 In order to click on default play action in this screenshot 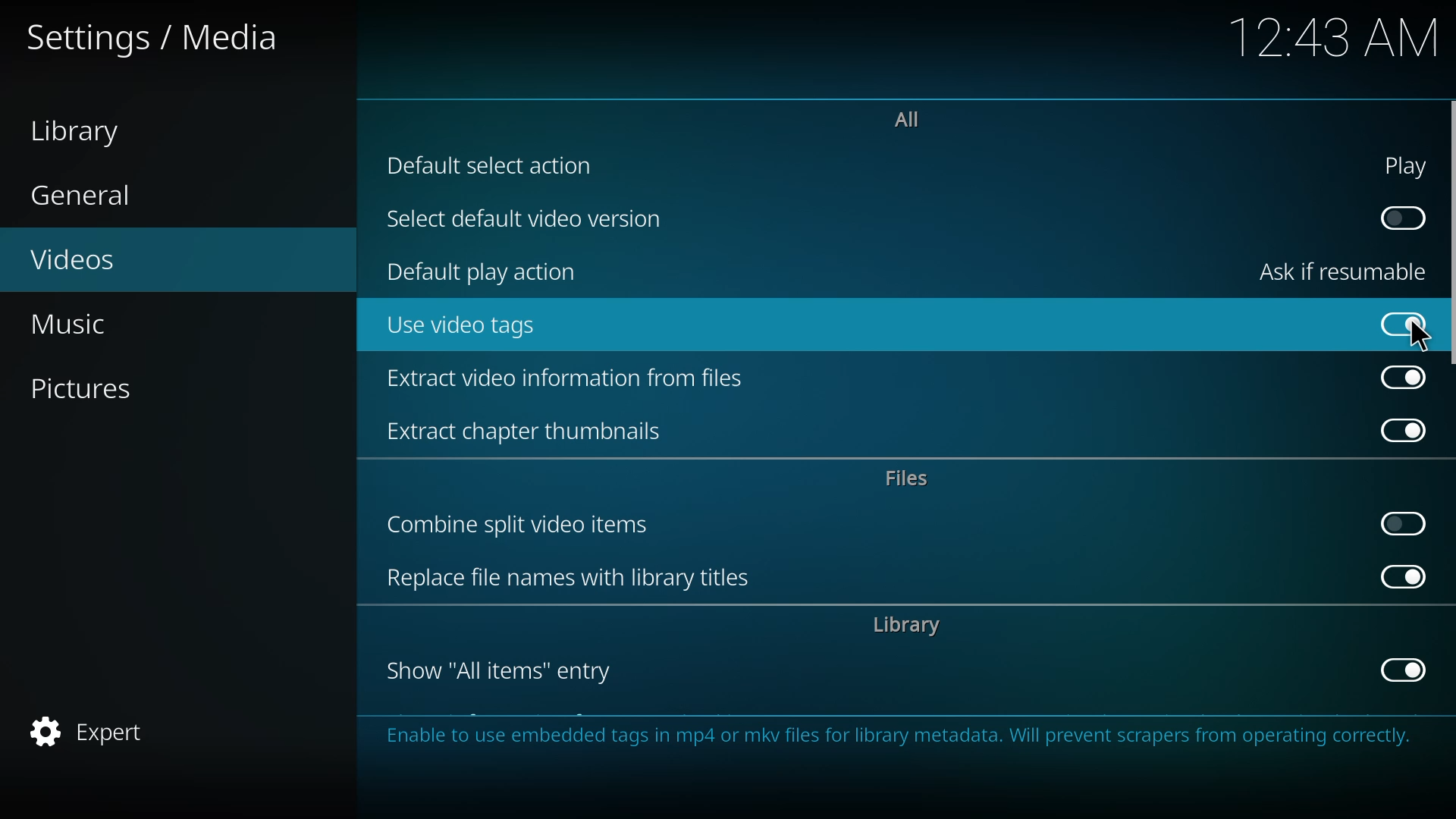, I will do `click(488, 270)`.